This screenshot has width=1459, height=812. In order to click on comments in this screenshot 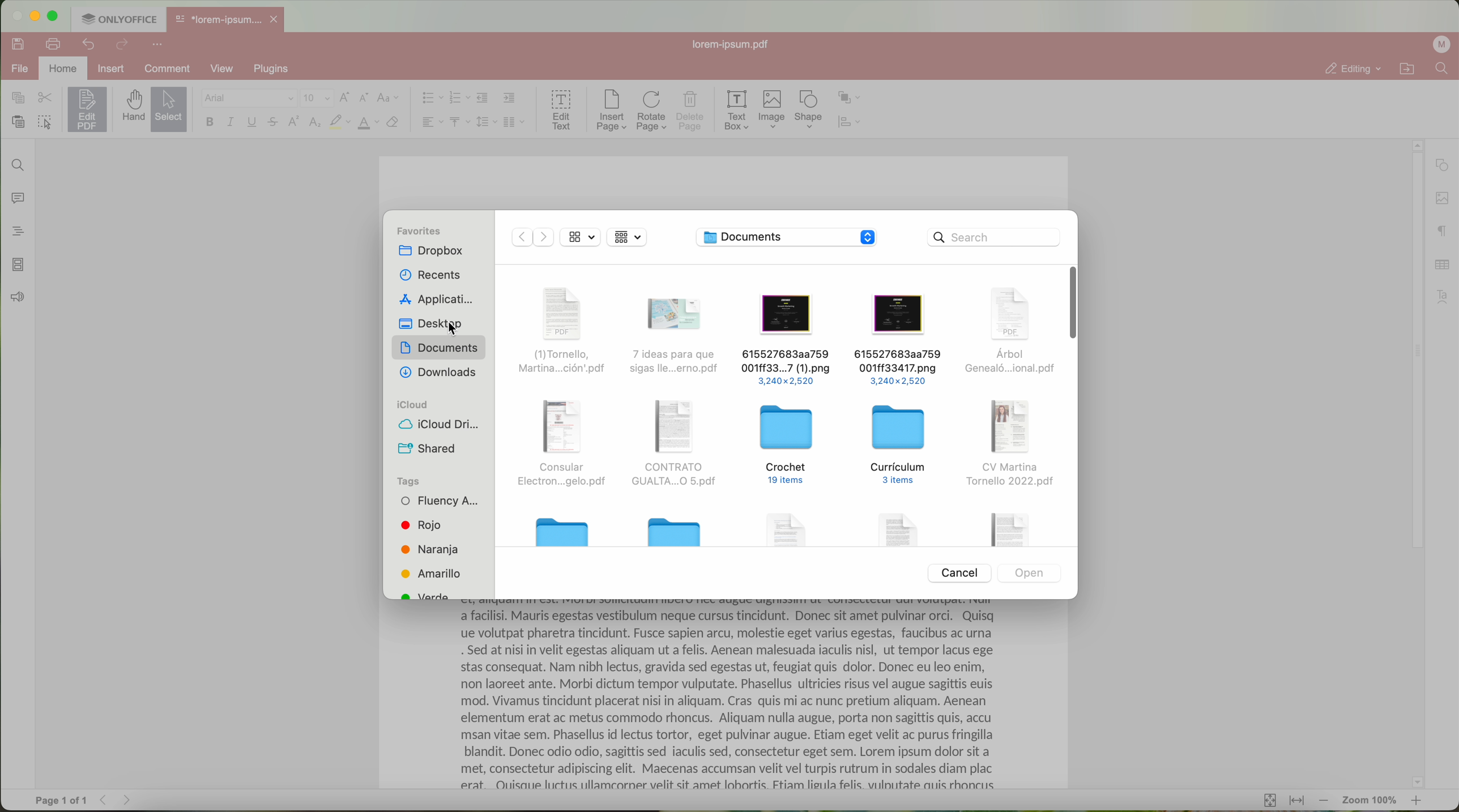, I will do `click(15, 196)`.